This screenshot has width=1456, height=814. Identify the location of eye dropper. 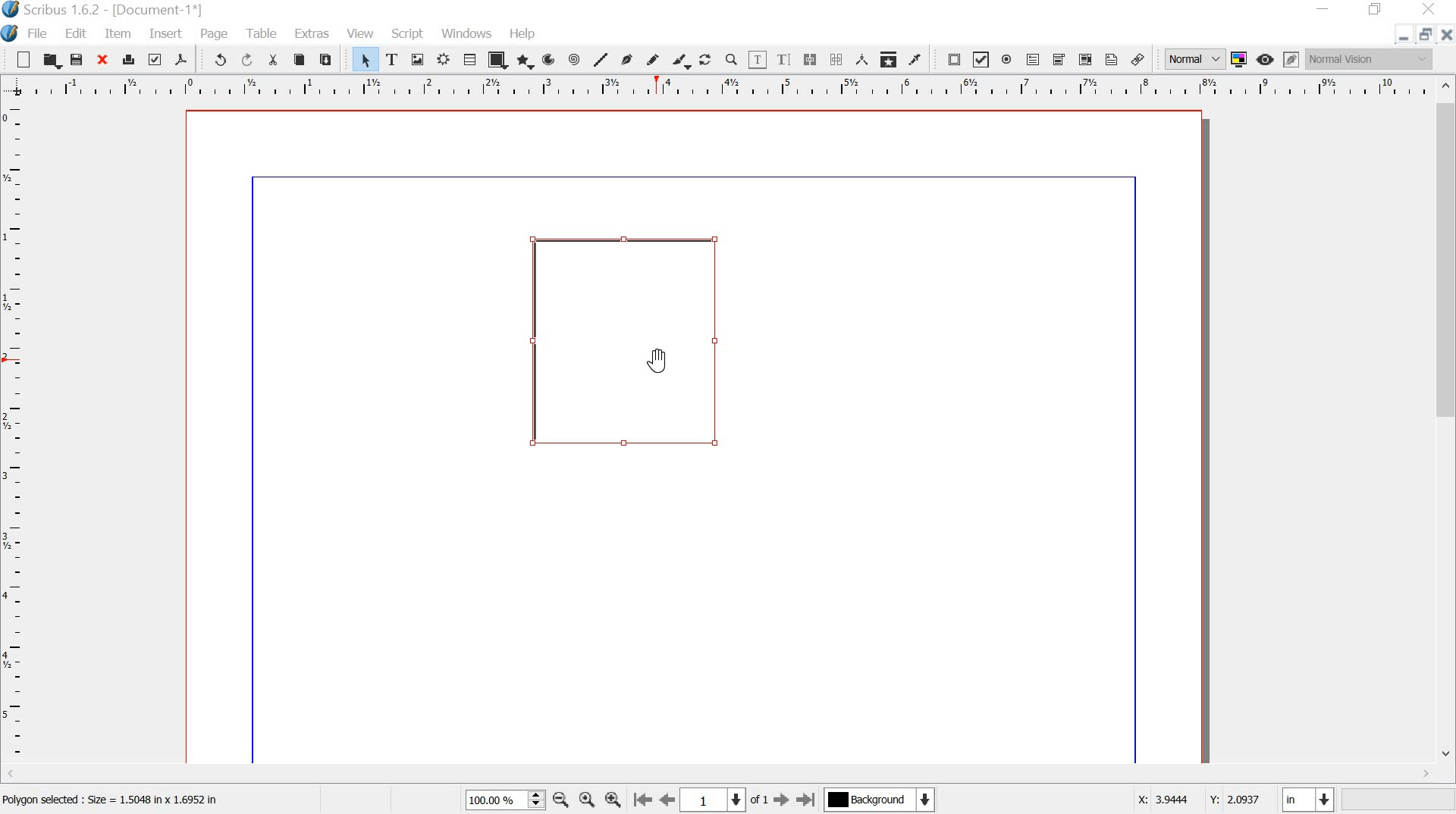
(917, 61).